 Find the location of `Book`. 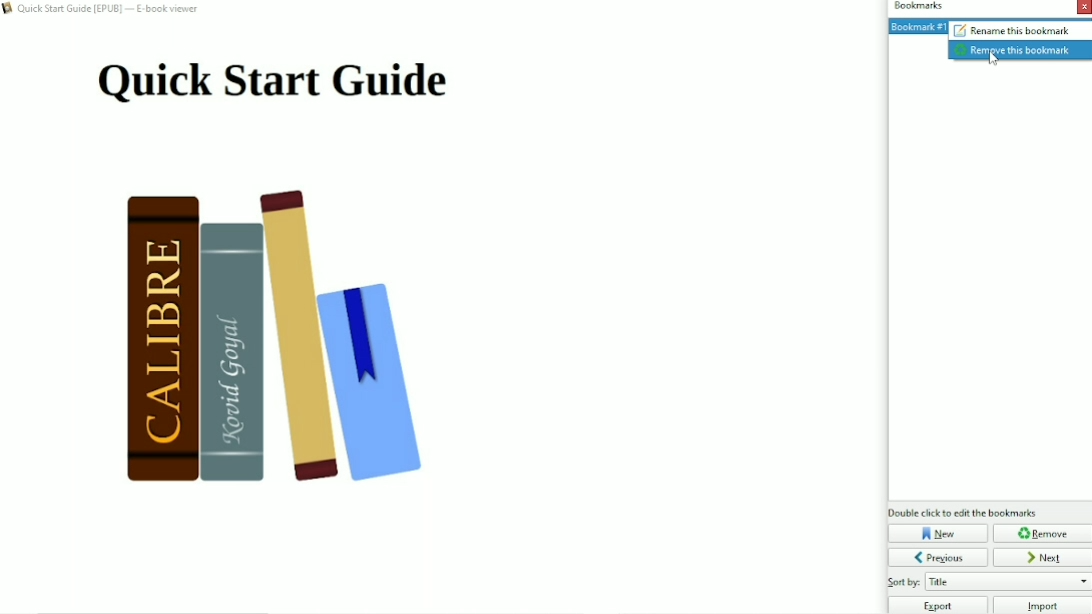

Book is located at coordinates (290, 343).